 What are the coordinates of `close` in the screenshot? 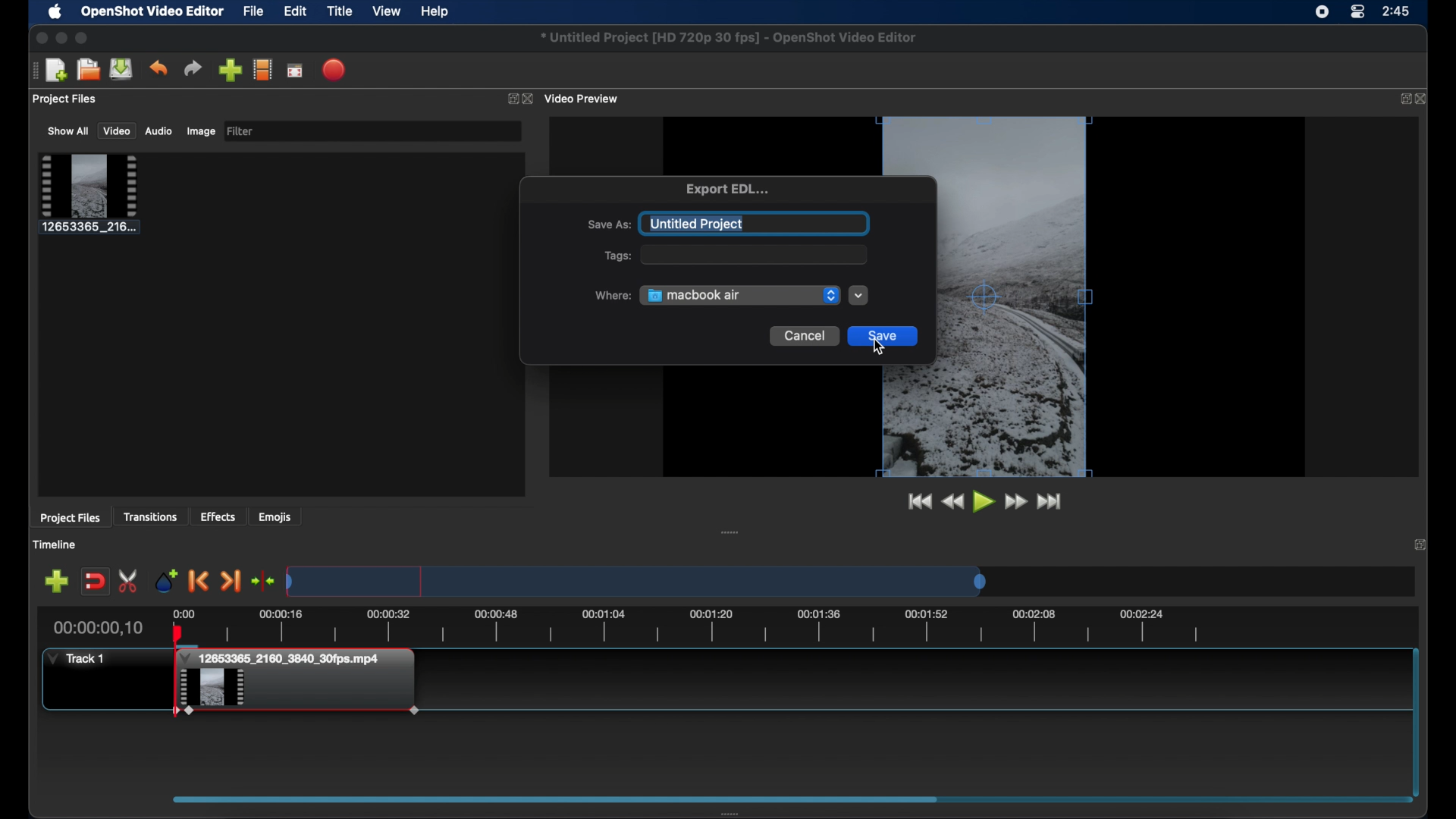 It's located at (1423, 99).